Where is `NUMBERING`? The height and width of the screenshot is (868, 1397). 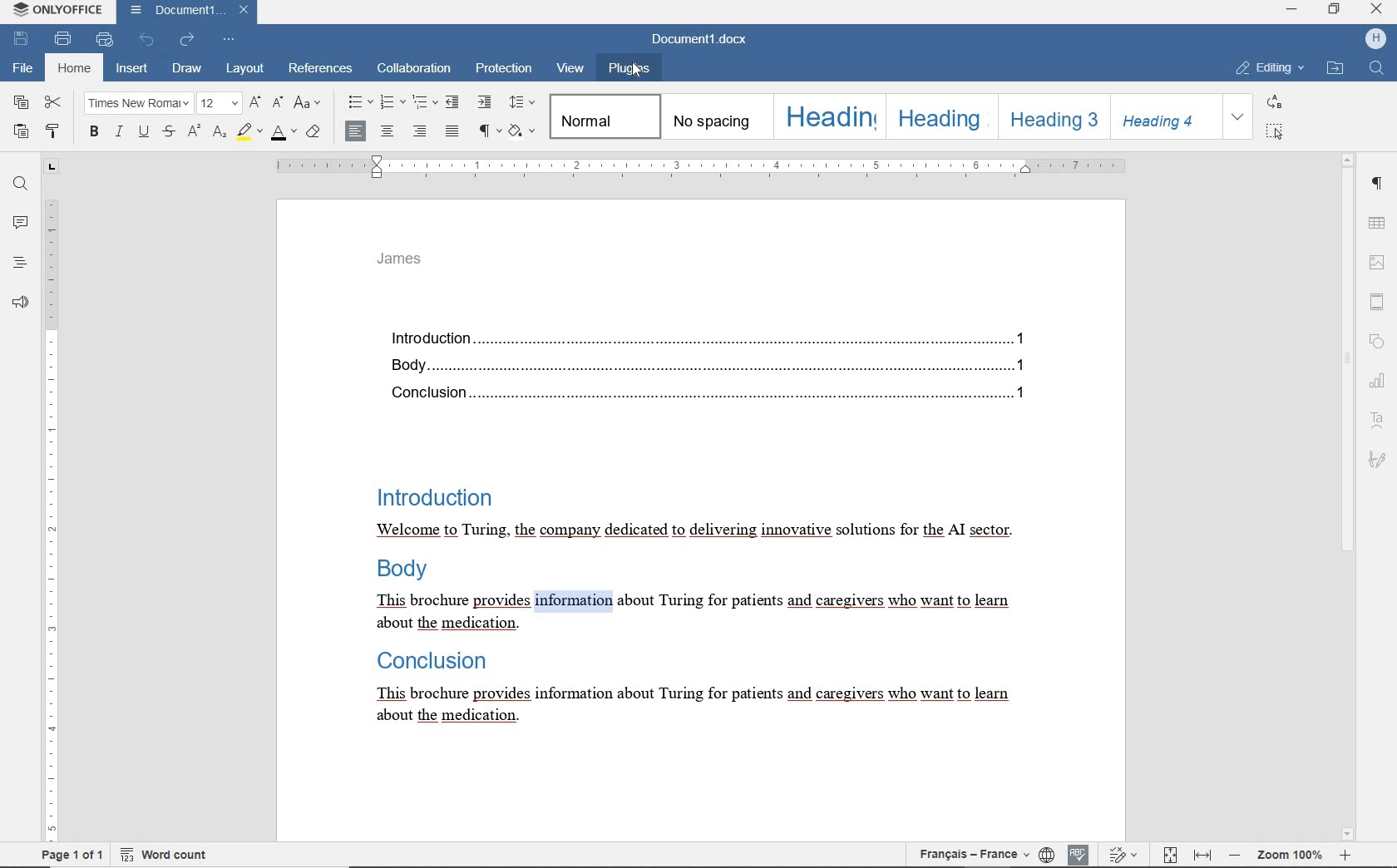 NUMBERING is located at coordinates (391, 103).